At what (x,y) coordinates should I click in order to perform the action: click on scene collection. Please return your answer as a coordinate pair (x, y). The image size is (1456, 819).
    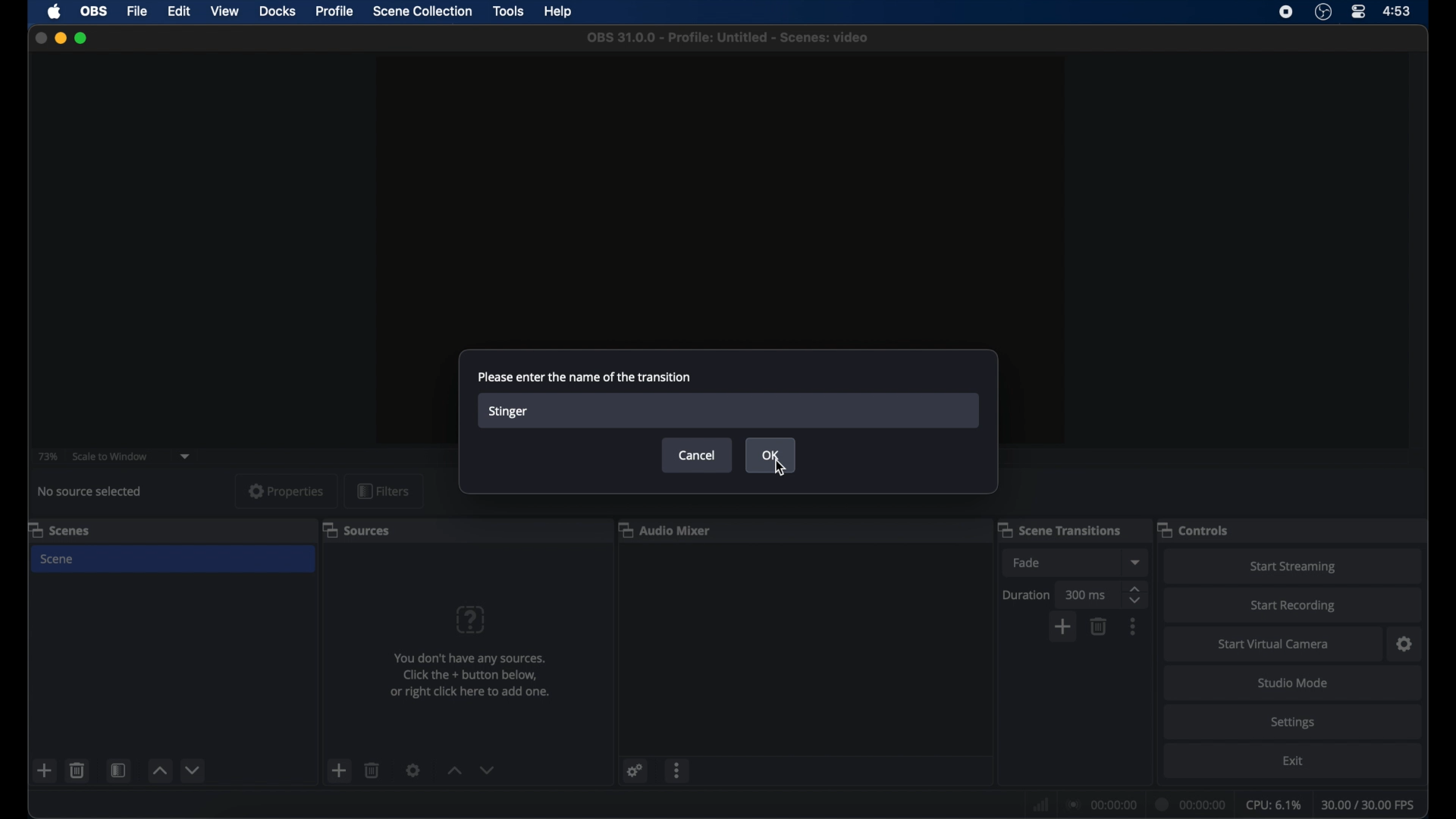
    Looking at the image, I should click on (424, 11).